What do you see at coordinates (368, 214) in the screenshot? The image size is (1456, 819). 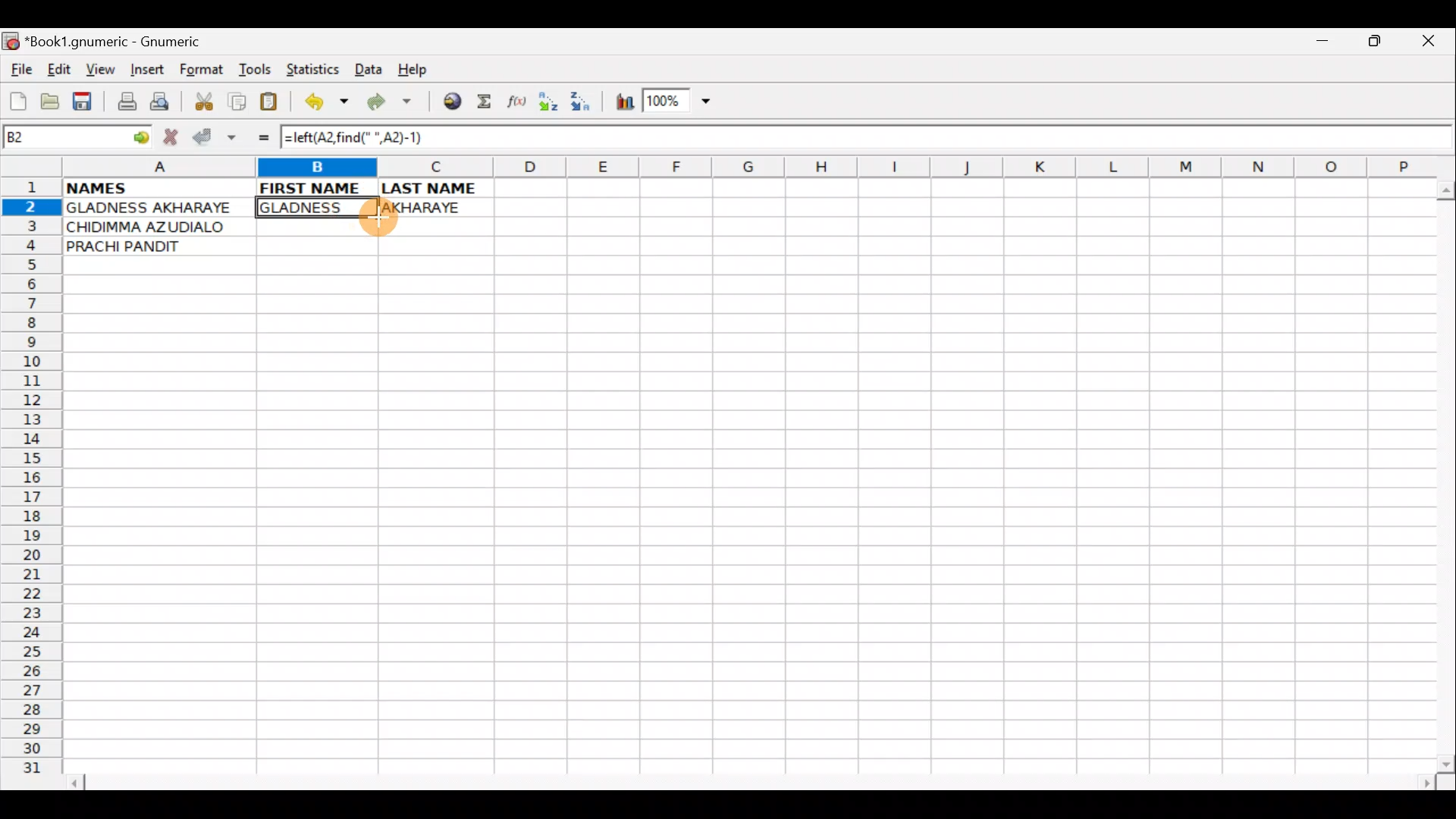 I see `Cursor on cell B2` at bounding box center [368, 214].